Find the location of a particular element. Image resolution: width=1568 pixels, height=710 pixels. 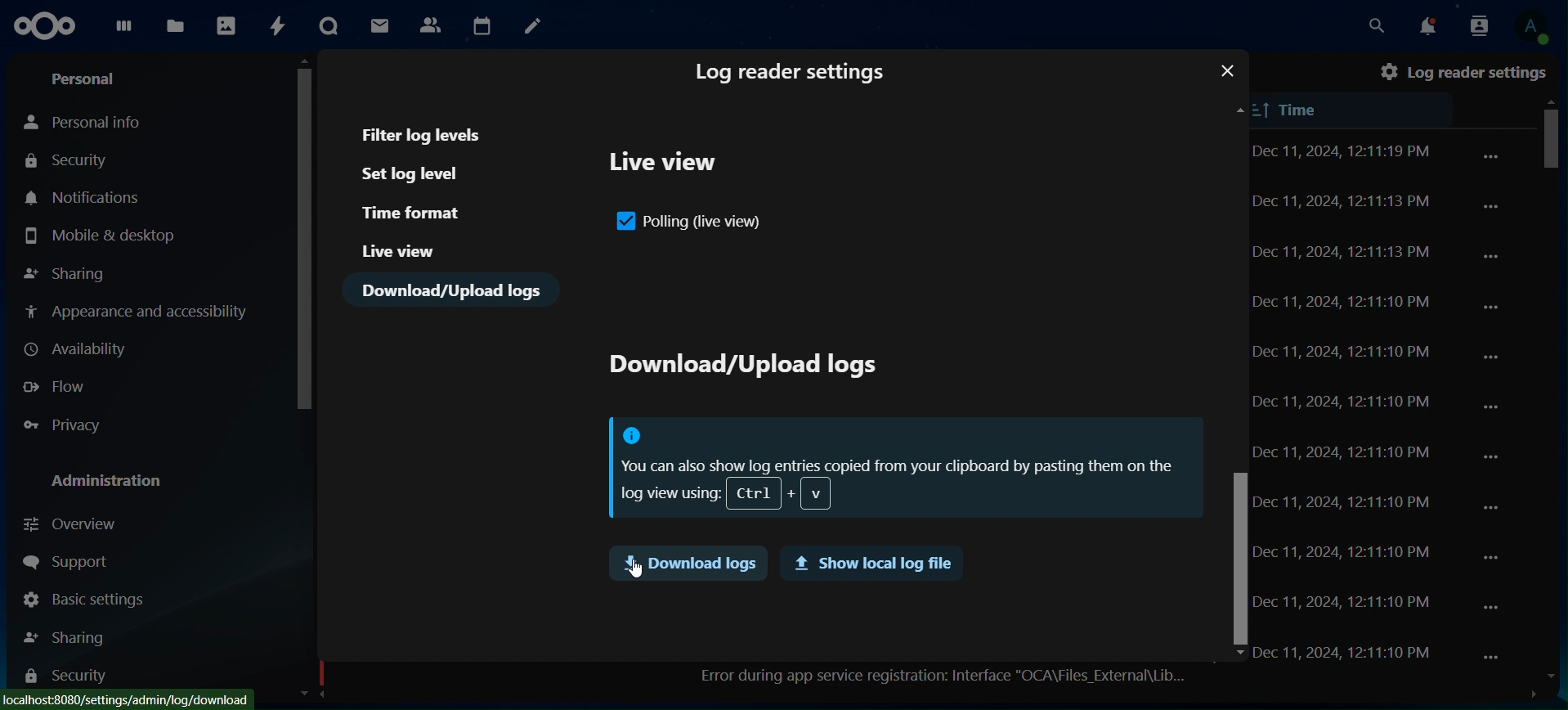

... is located at coordinates (1490, 556).